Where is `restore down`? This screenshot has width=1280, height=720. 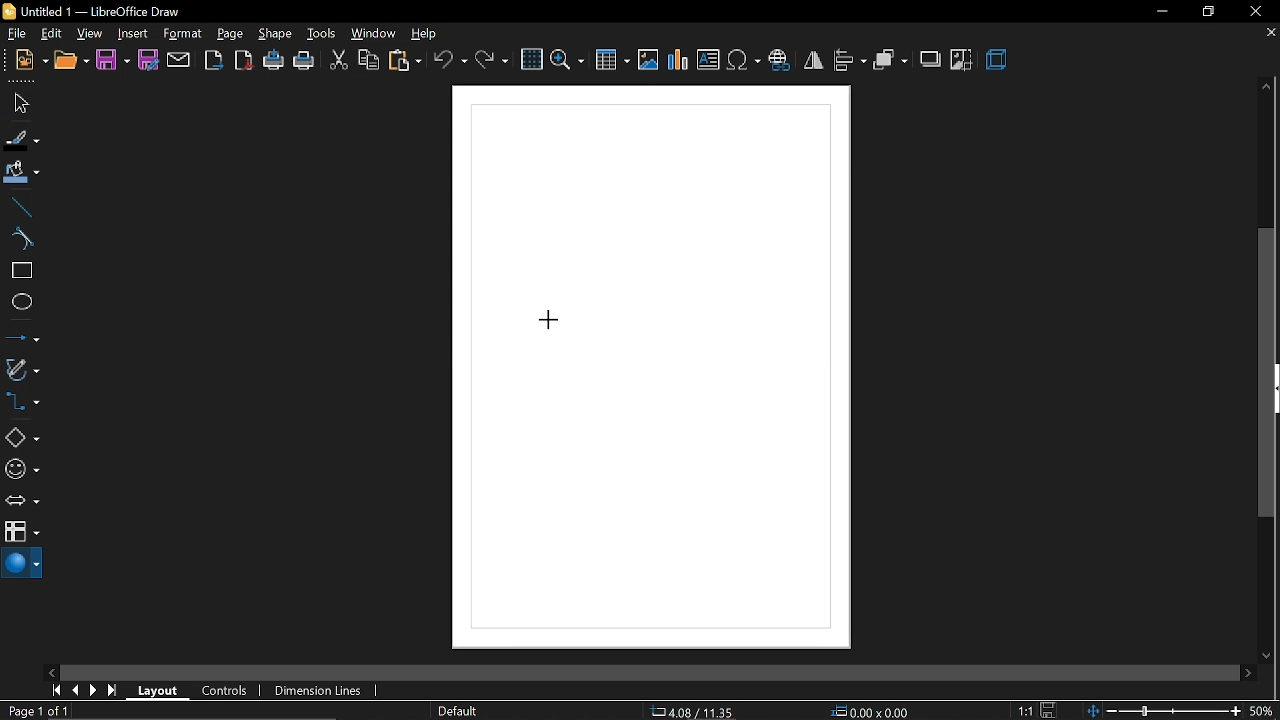 restore down is located at coordinates (1206, 11).